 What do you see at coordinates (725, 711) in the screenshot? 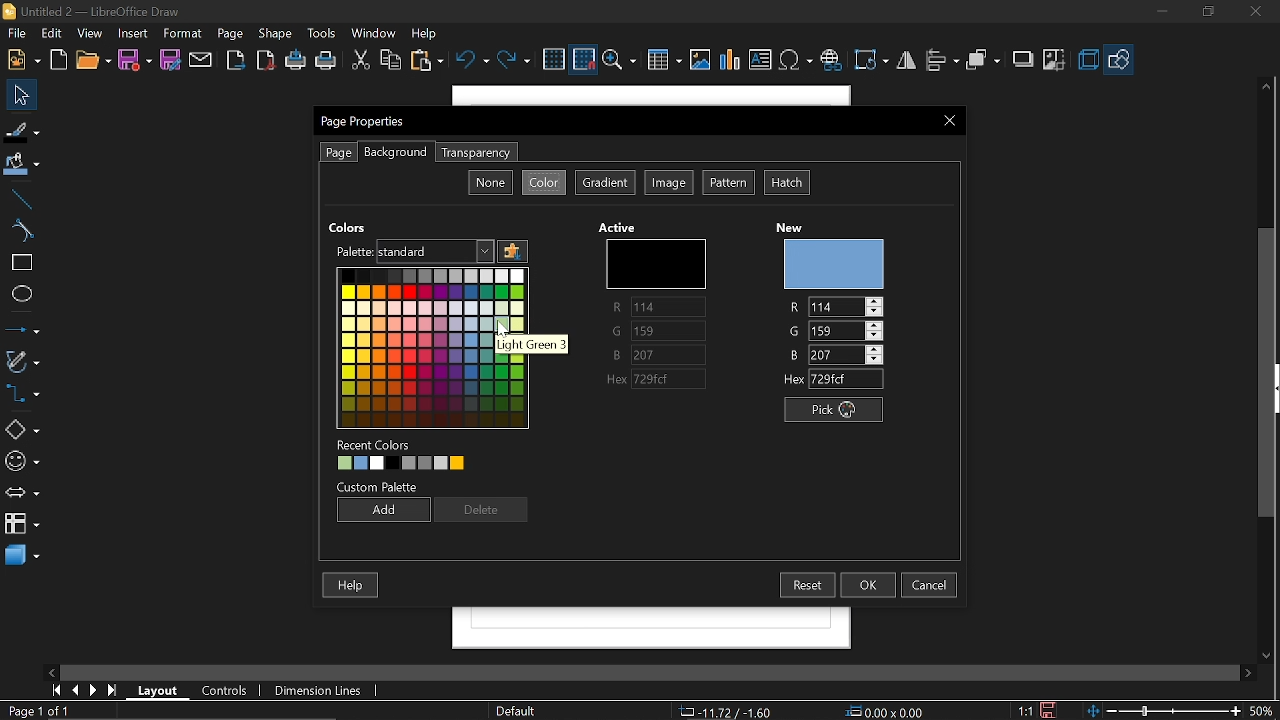
I see `Co-ordinate` at bounding box center [725, 711].